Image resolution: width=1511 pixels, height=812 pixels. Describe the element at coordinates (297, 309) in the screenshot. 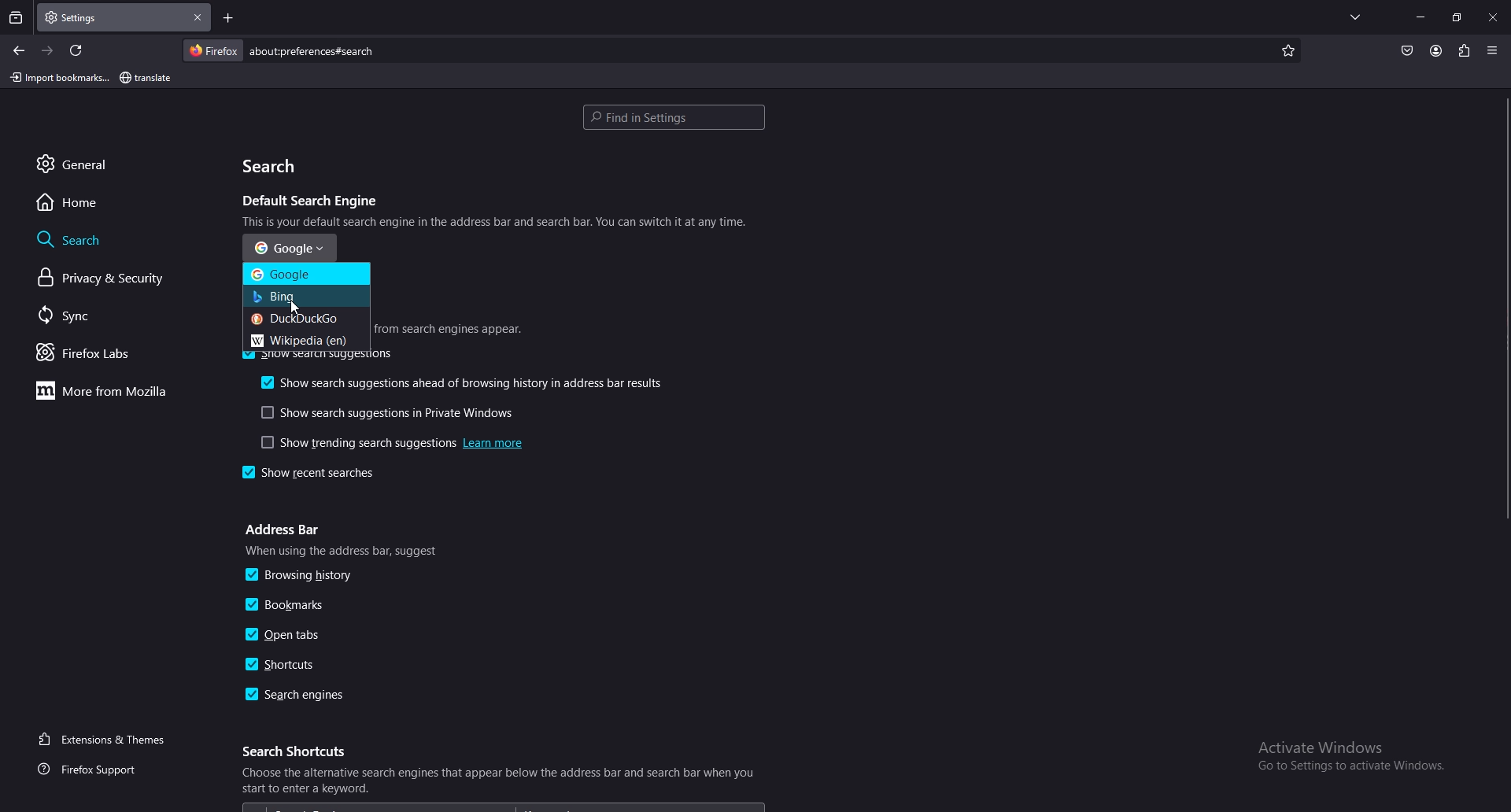

I see `cursor` at that location.